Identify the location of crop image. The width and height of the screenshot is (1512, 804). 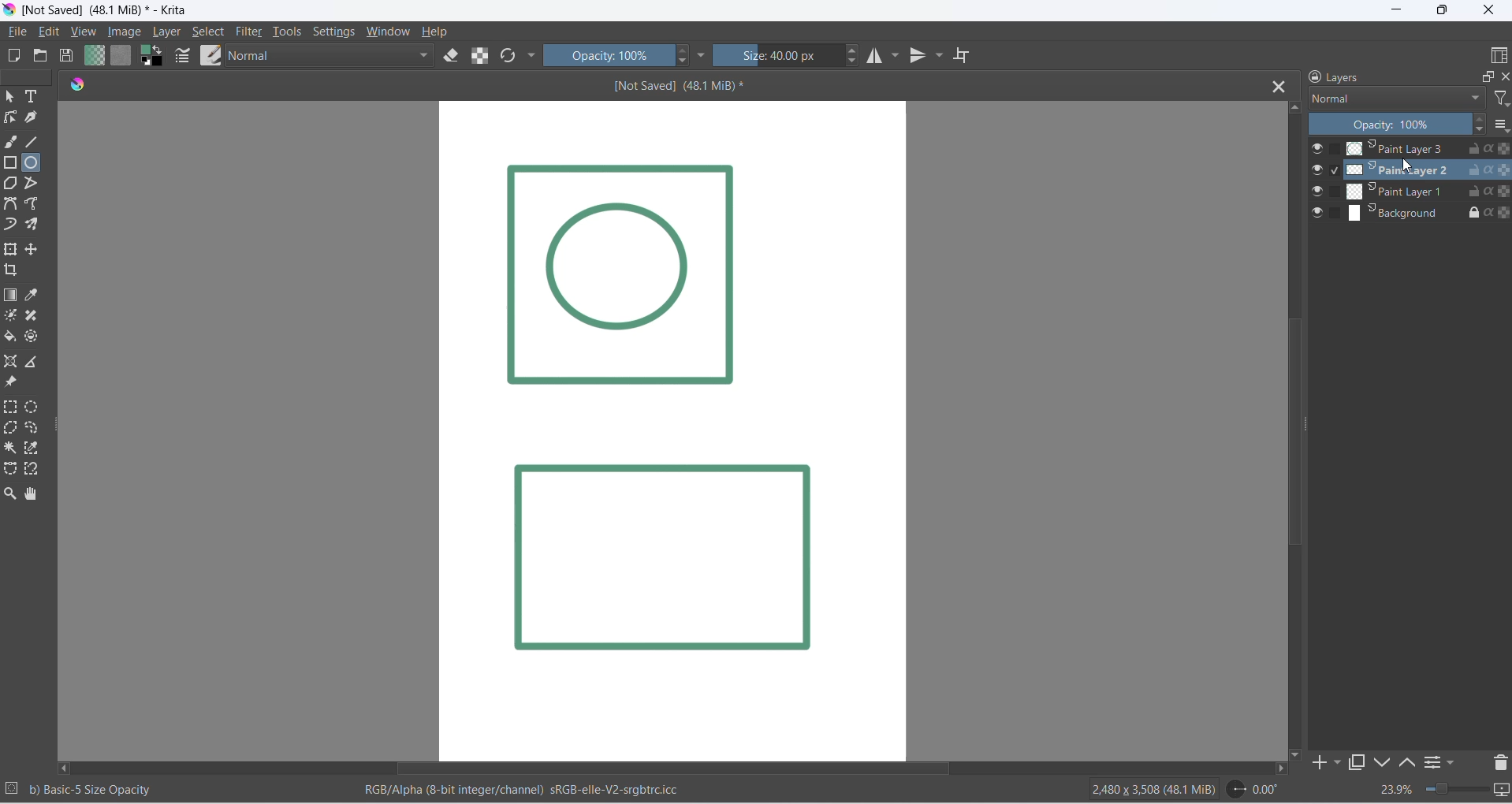
(14, 272).